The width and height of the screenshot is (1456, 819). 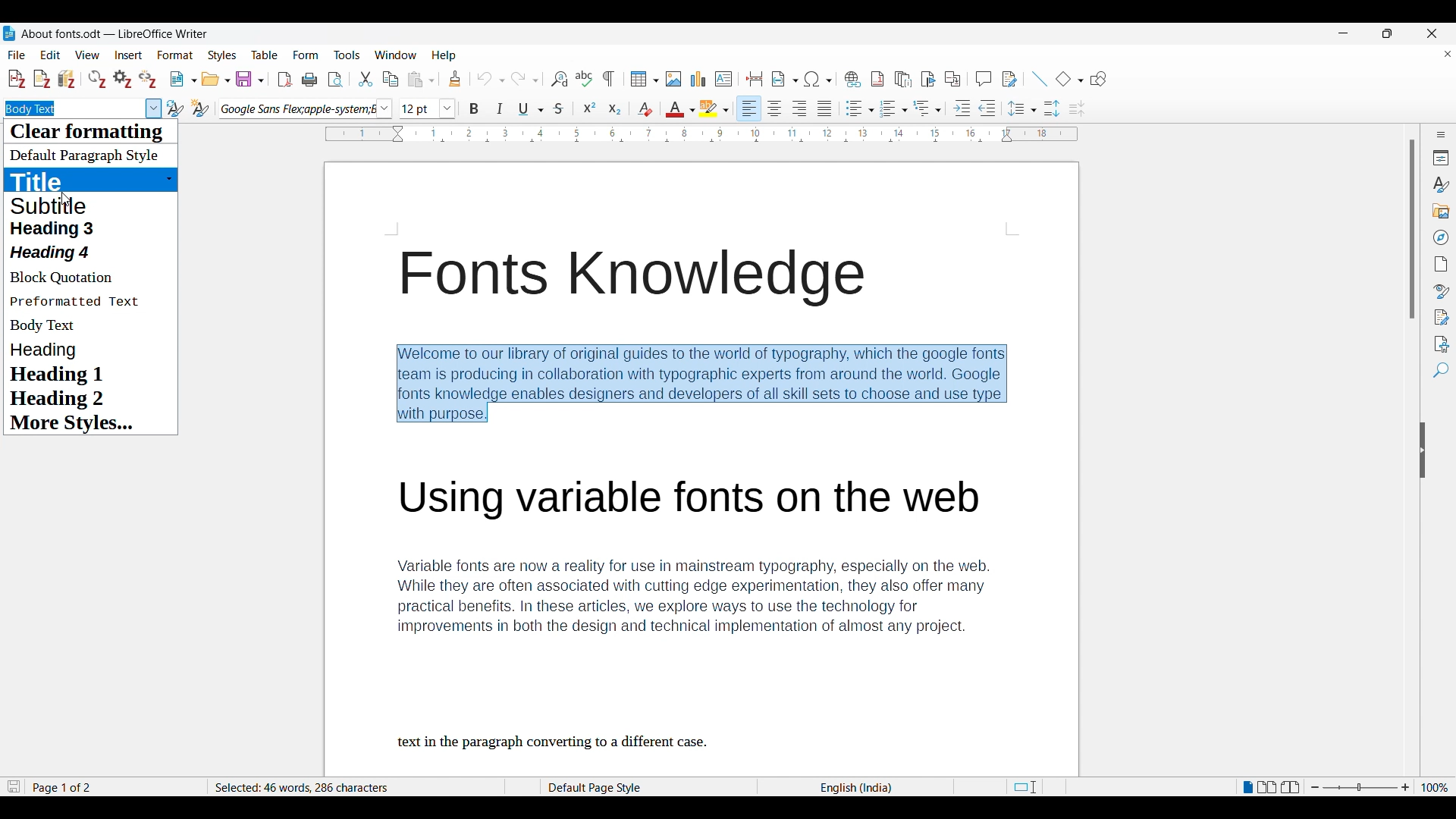 I want to click on Book view, so click(x=1291, y=787).